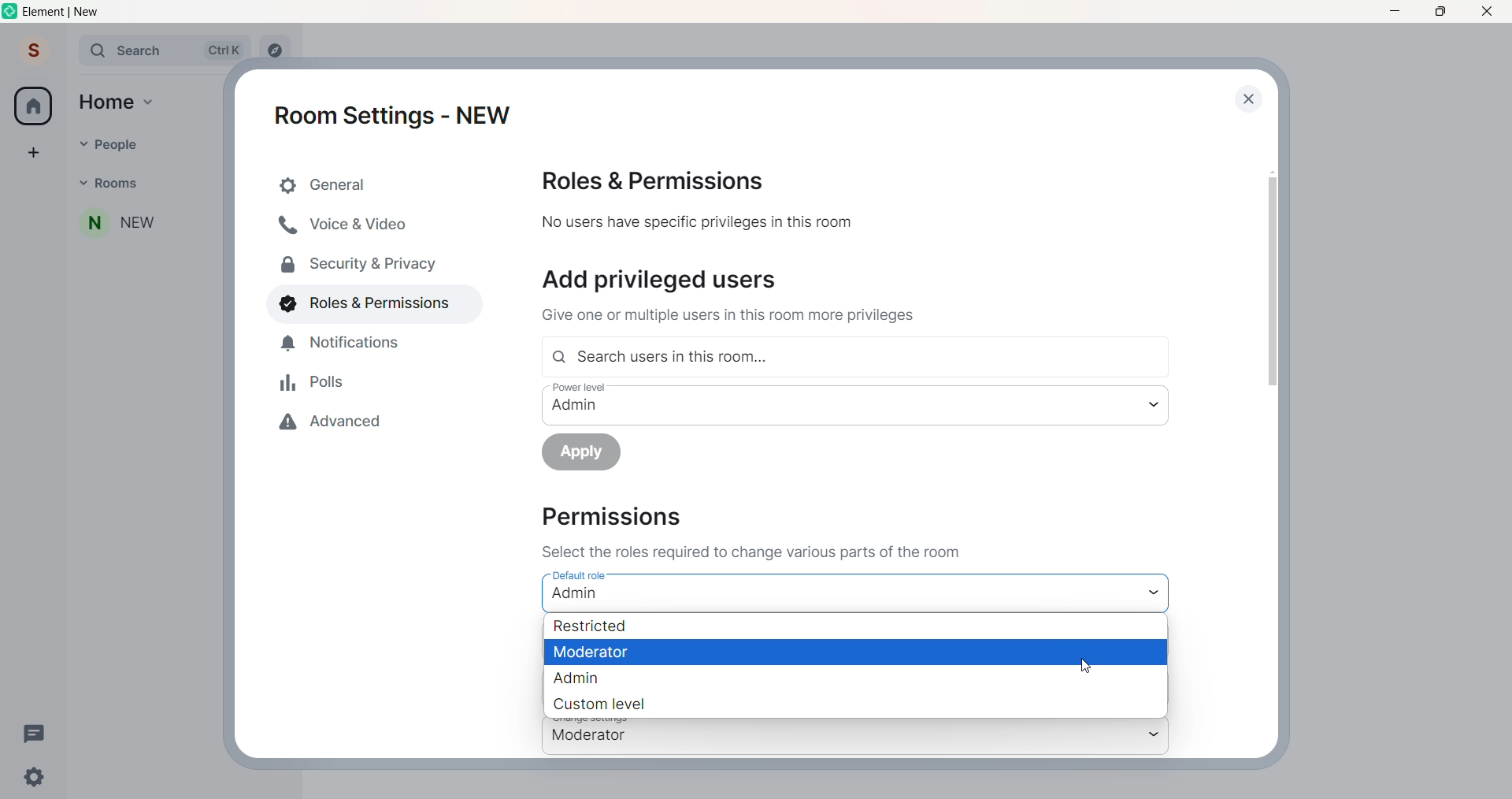 This screenshot has width=1512, height=799. I want to click on add users, so click(662, 278).